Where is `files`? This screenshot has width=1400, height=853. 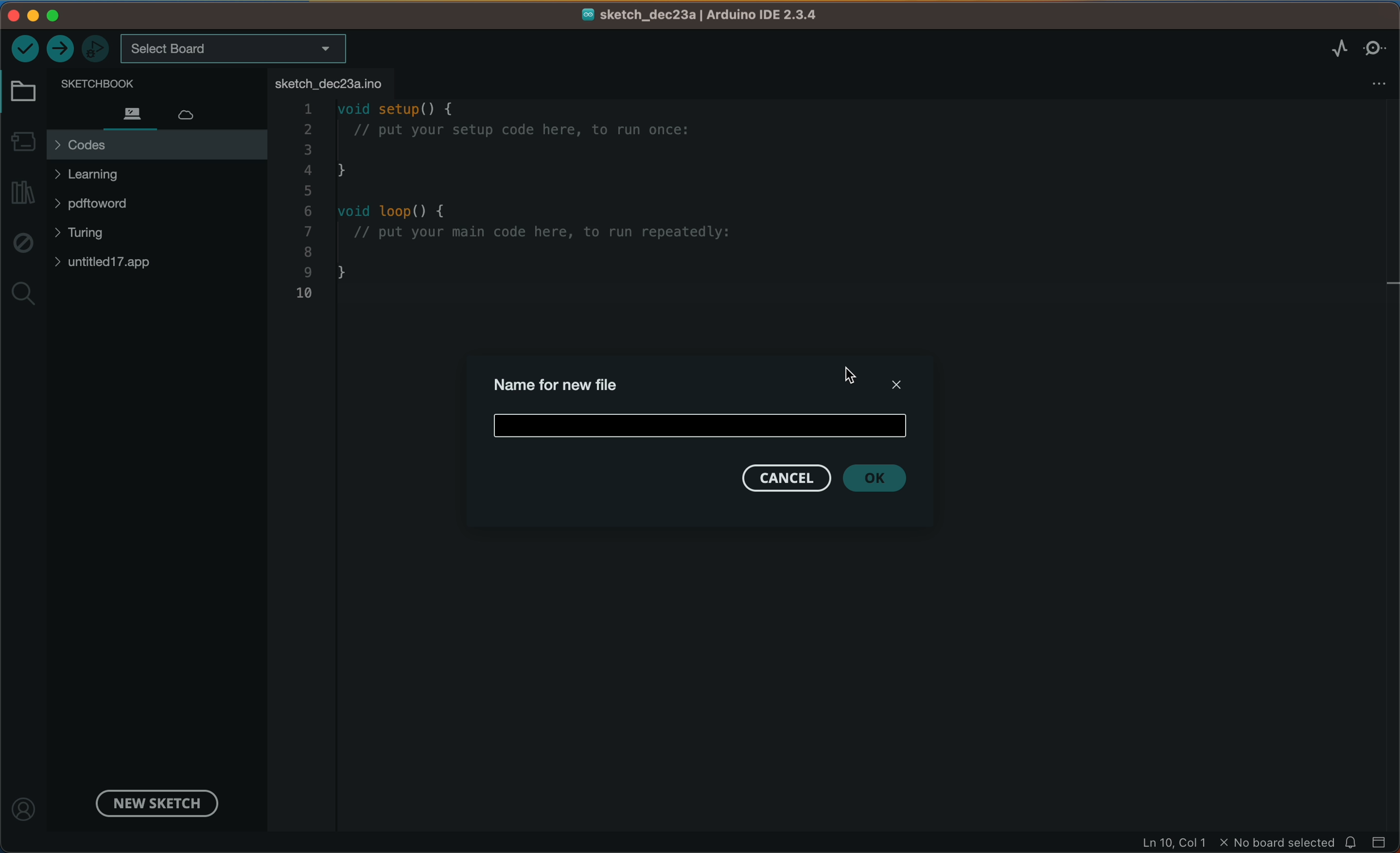 files is located at coordinates (131, 113).